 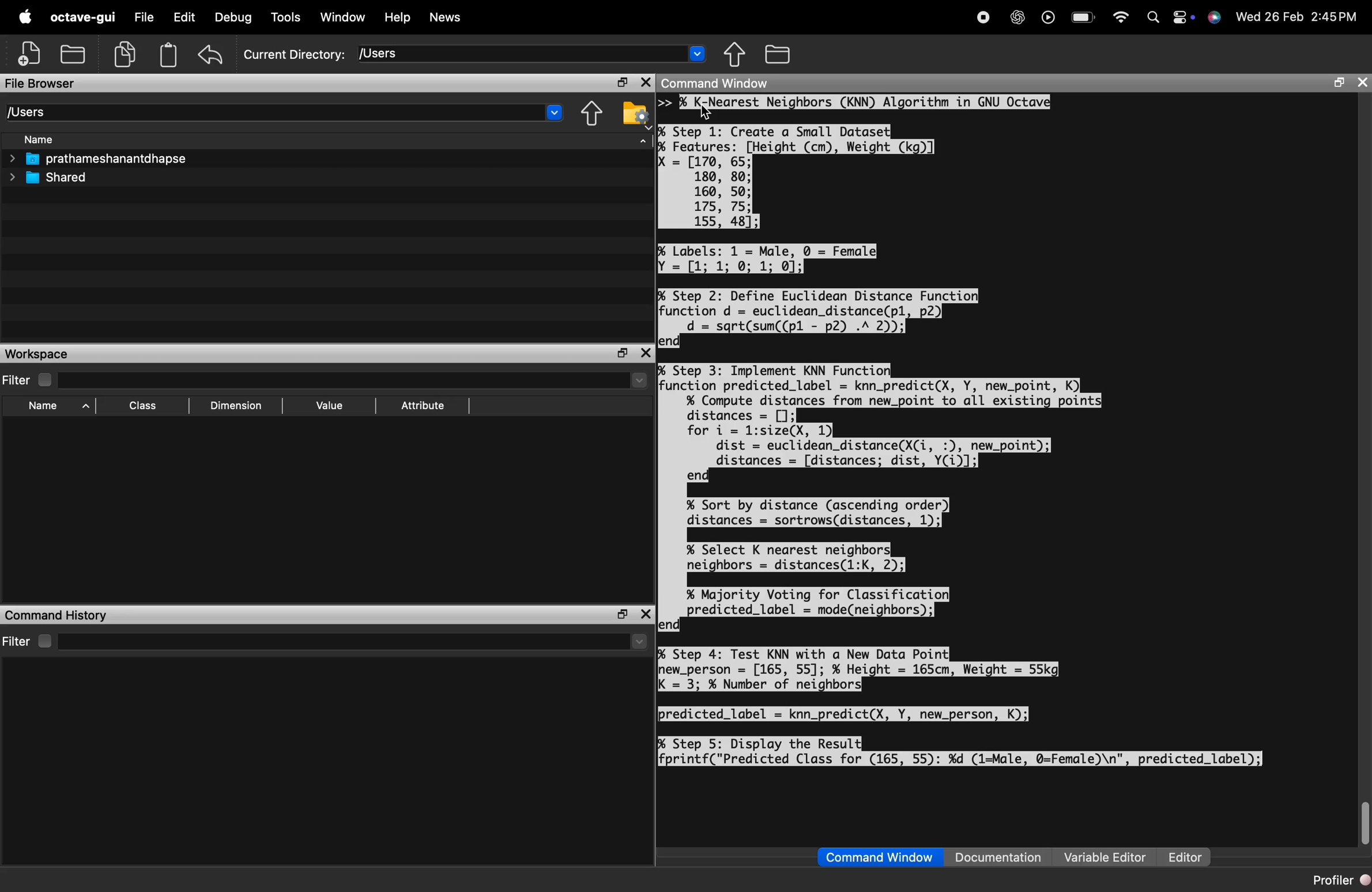 I want to click on Class, so click(x=144, y=405).